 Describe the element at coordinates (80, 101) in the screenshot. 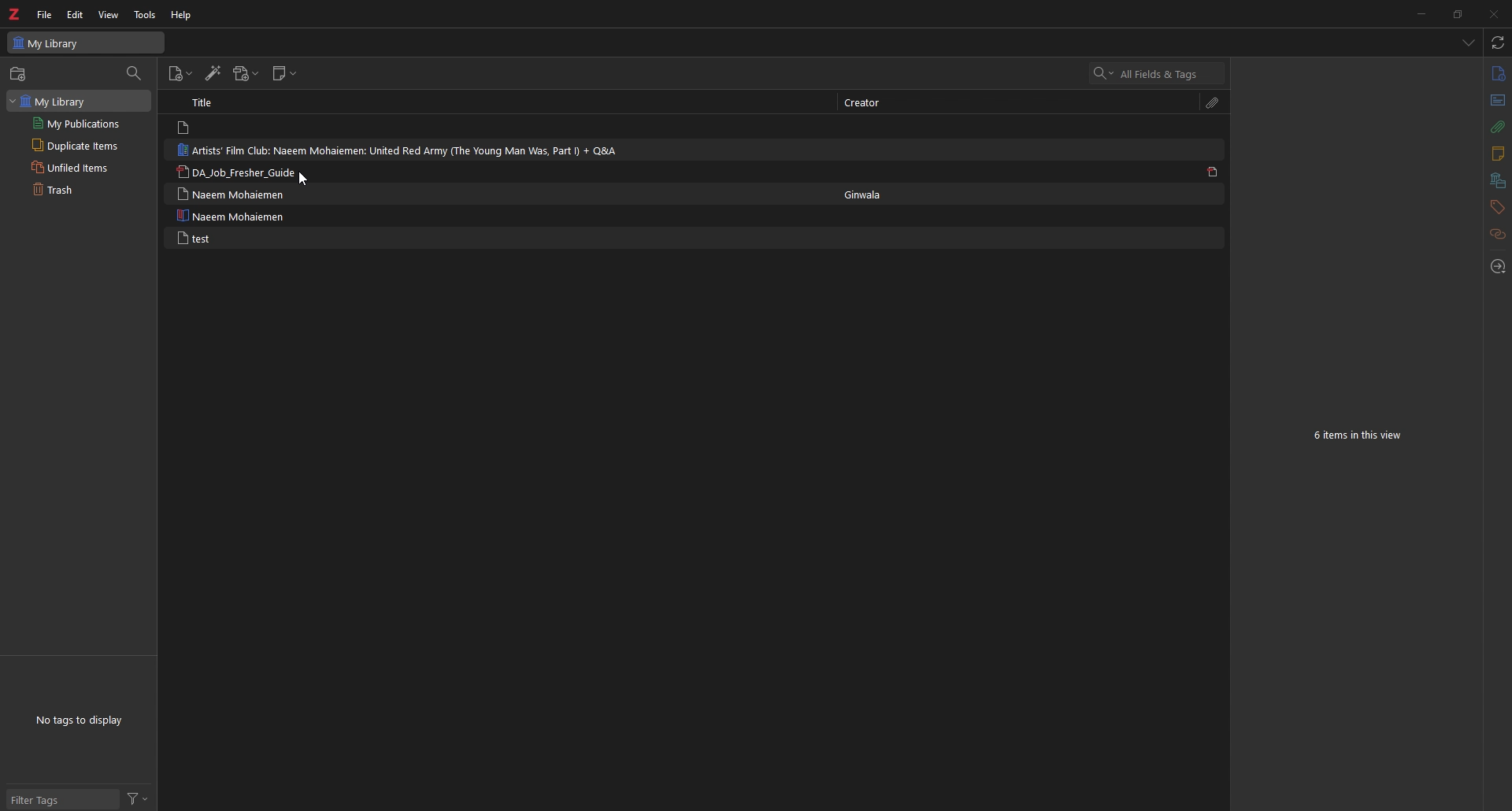

I see `my library` at that location.